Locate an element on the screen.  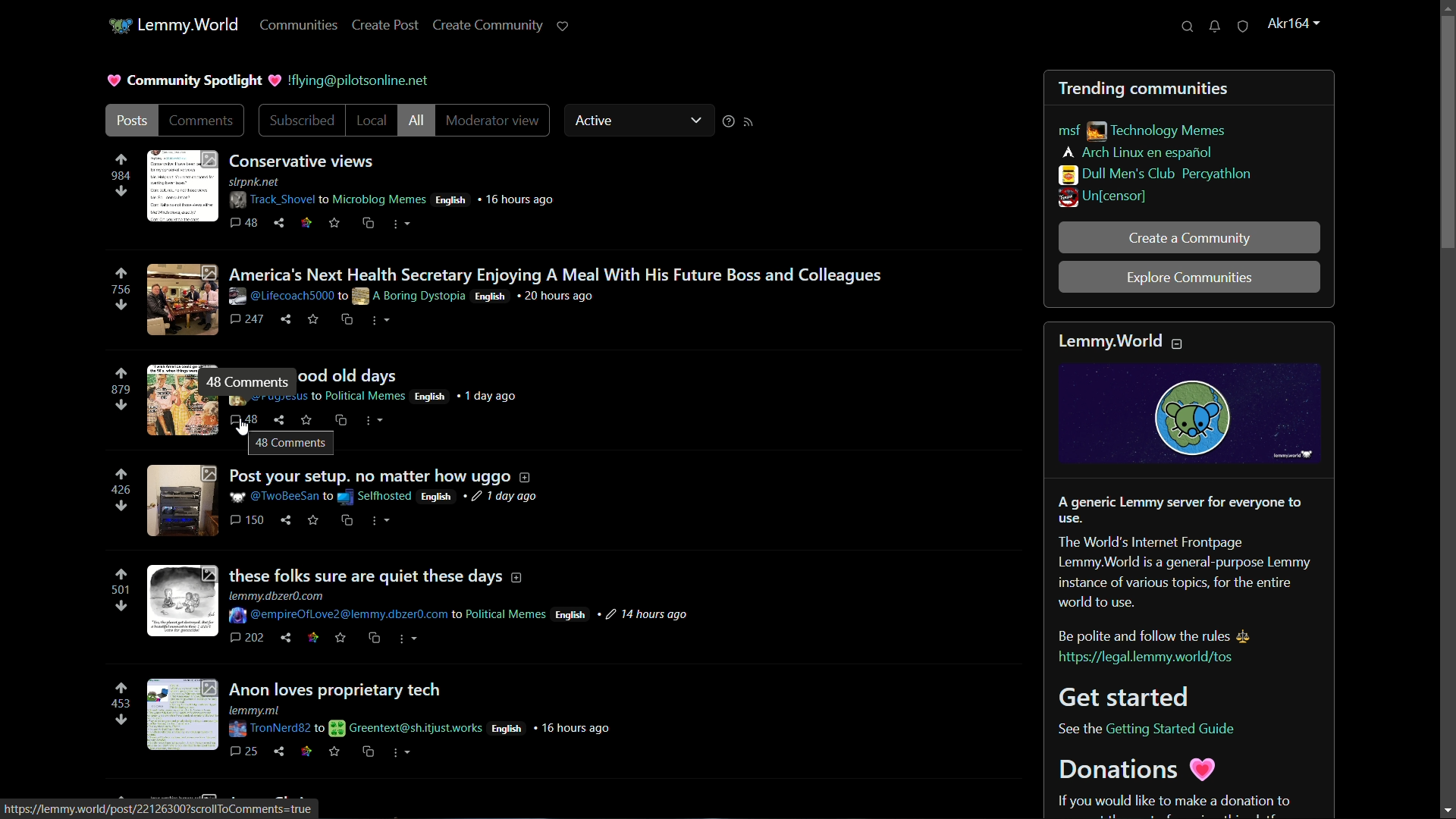
post-6 is located at coordinates (380, 719).